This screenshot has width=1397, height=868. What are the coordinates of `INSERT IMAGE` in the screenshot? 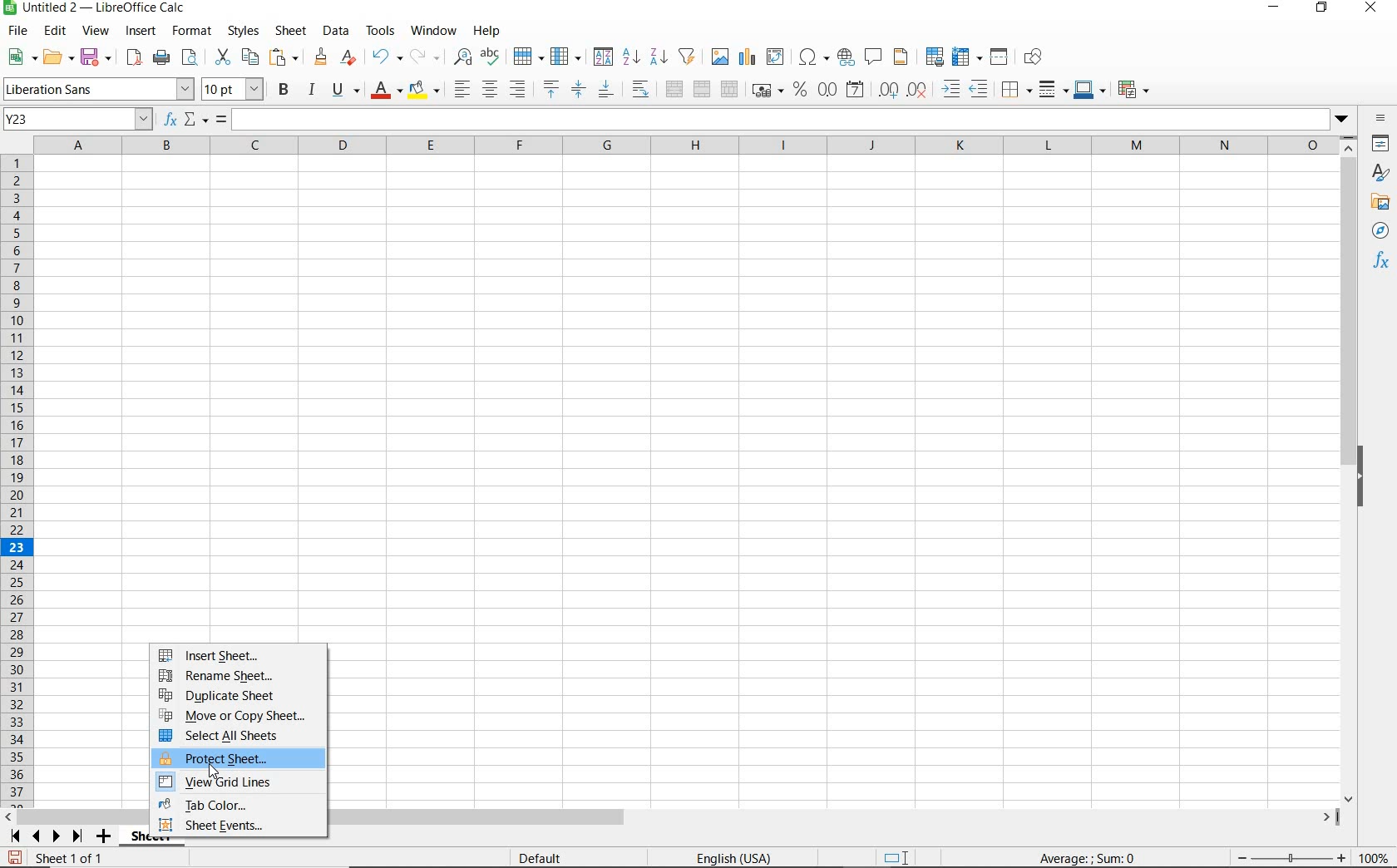 It's located at (720, 56).